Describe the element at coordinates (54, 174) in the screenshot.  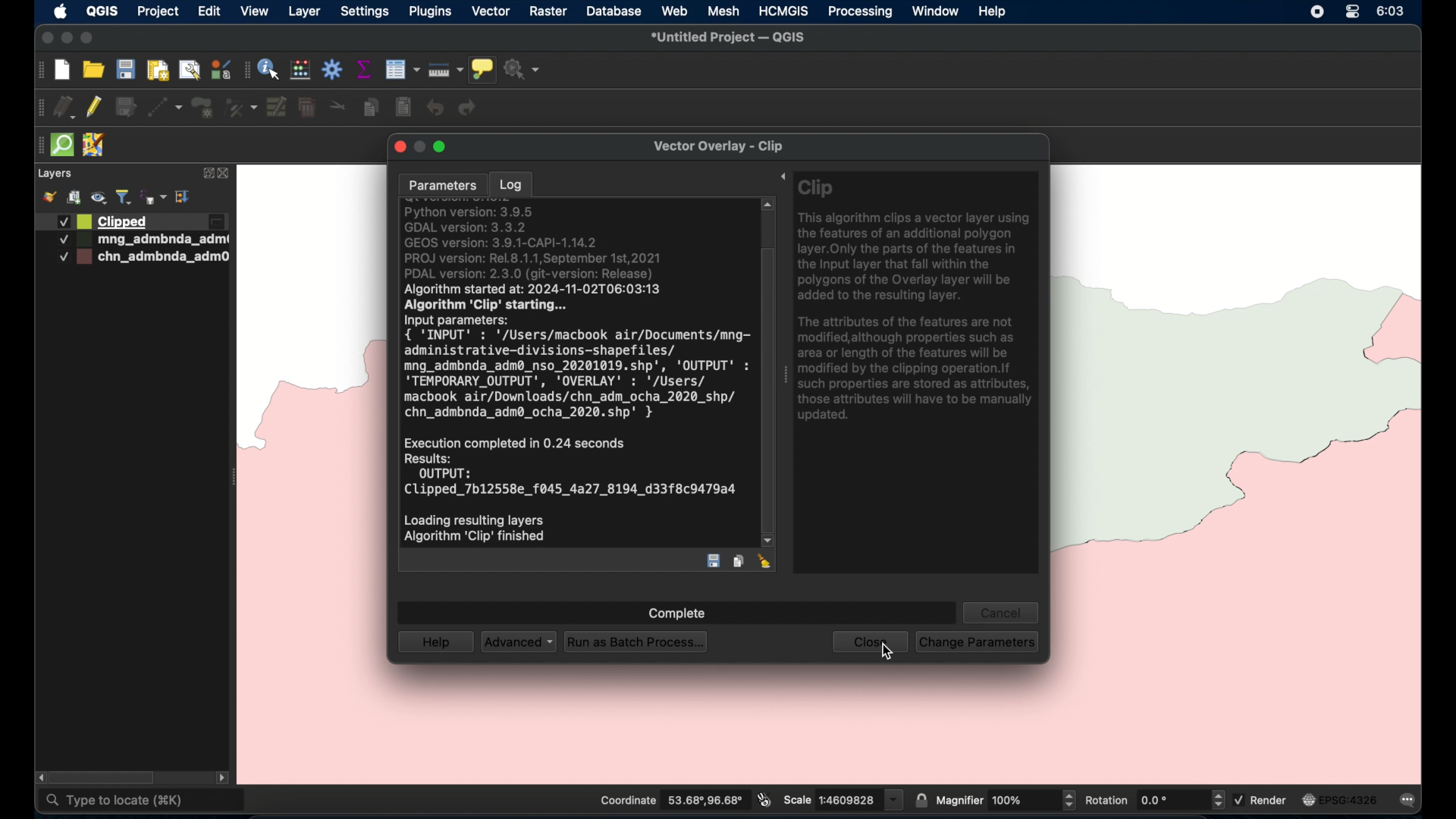
I see `layers ` at that location.